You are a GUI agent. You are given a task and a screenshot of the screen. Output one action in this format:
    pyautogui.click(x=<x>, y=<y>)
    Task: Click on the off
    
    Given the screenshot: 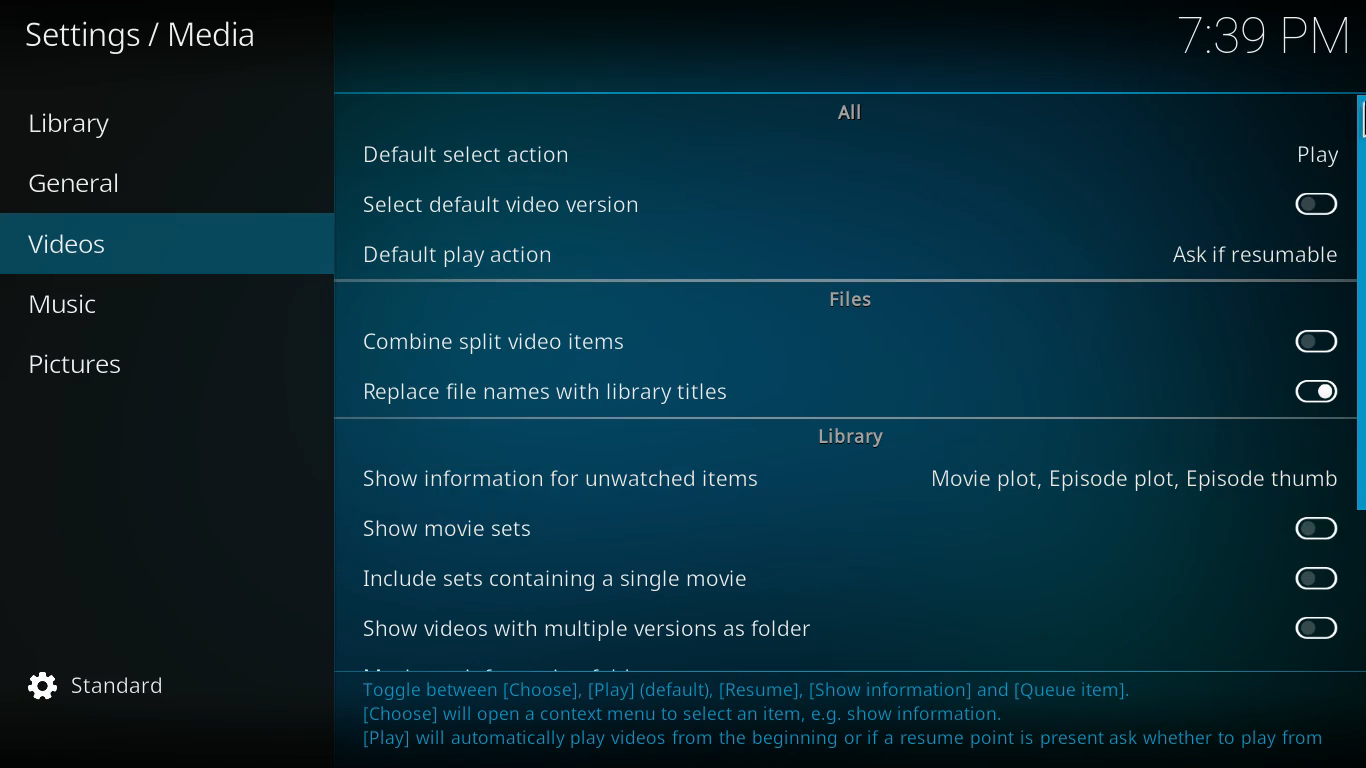 What is the action you would take?
    pyautogui.click(x=1316, y=578)
    